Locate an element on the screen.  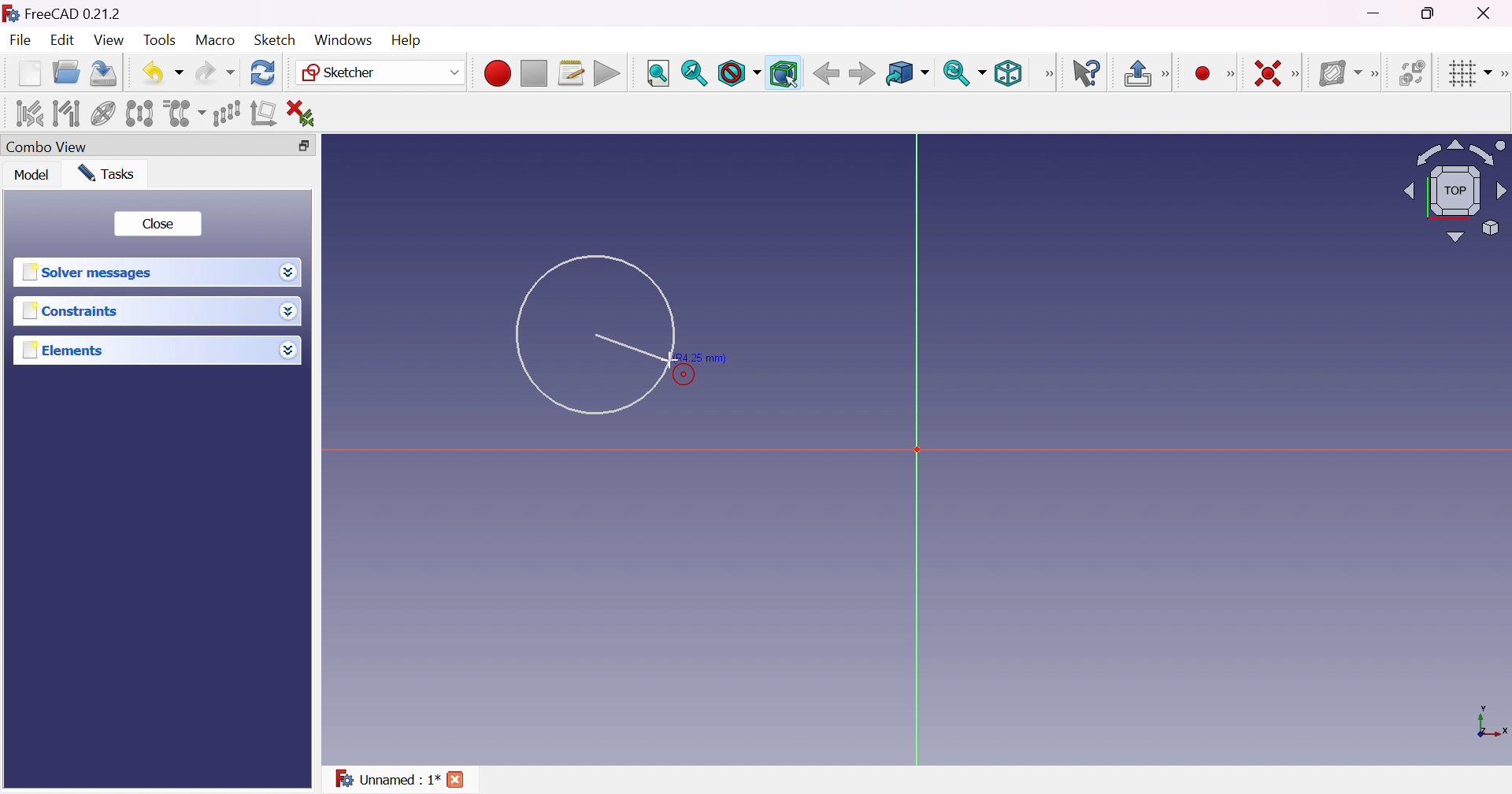
Viewing angle is located at coordinates (1455, 190).